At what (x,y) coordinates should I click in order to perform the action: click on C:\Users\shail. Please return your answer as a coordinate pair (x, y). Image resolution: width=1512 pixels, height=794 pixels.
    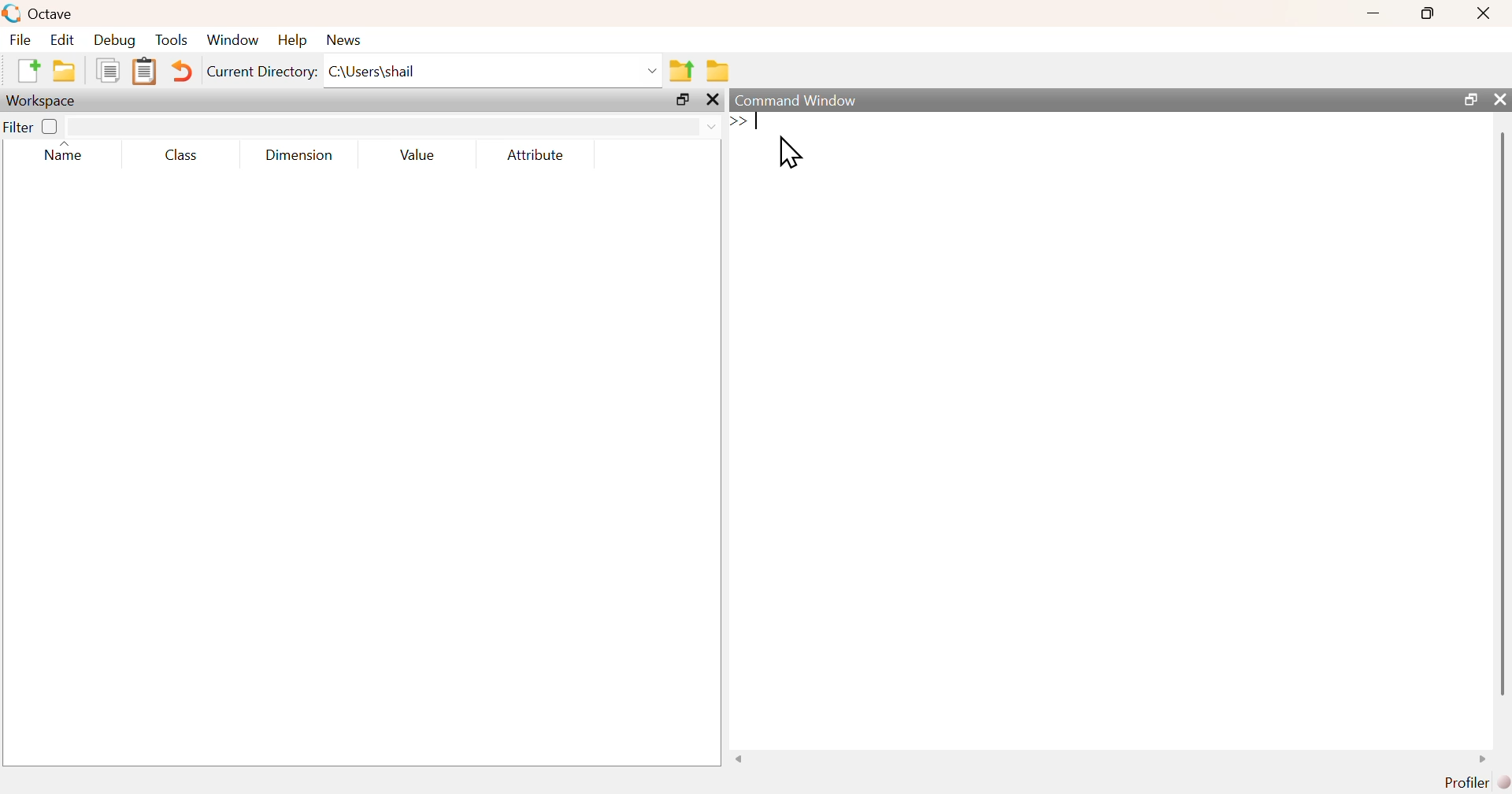
    Looking at the image, I should click on (375, 72).